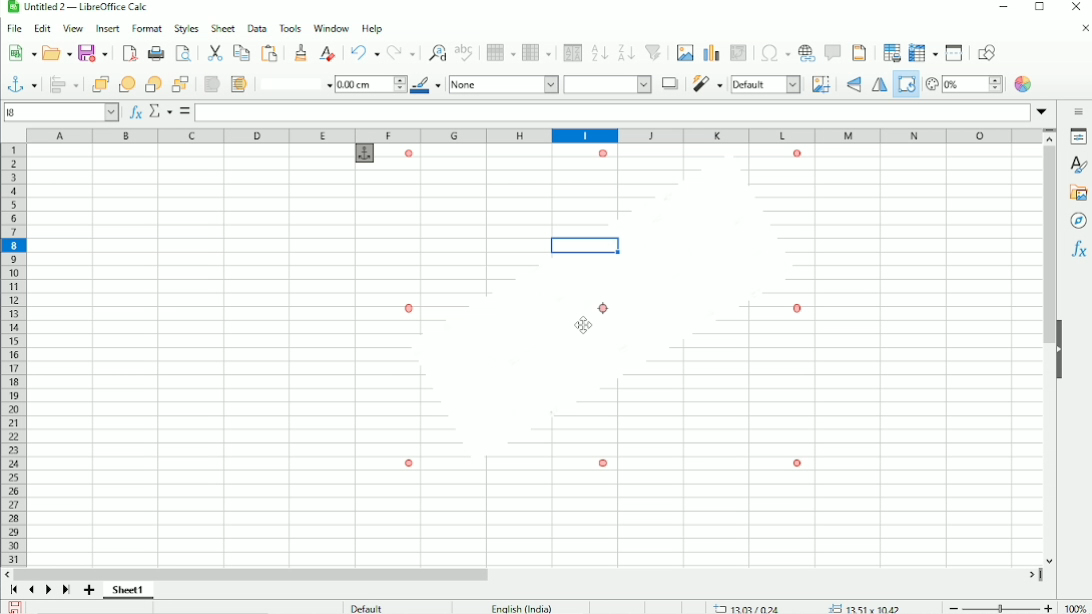 This screenshot has width=1092, height=614. I want to click on View, so click(72, 28).